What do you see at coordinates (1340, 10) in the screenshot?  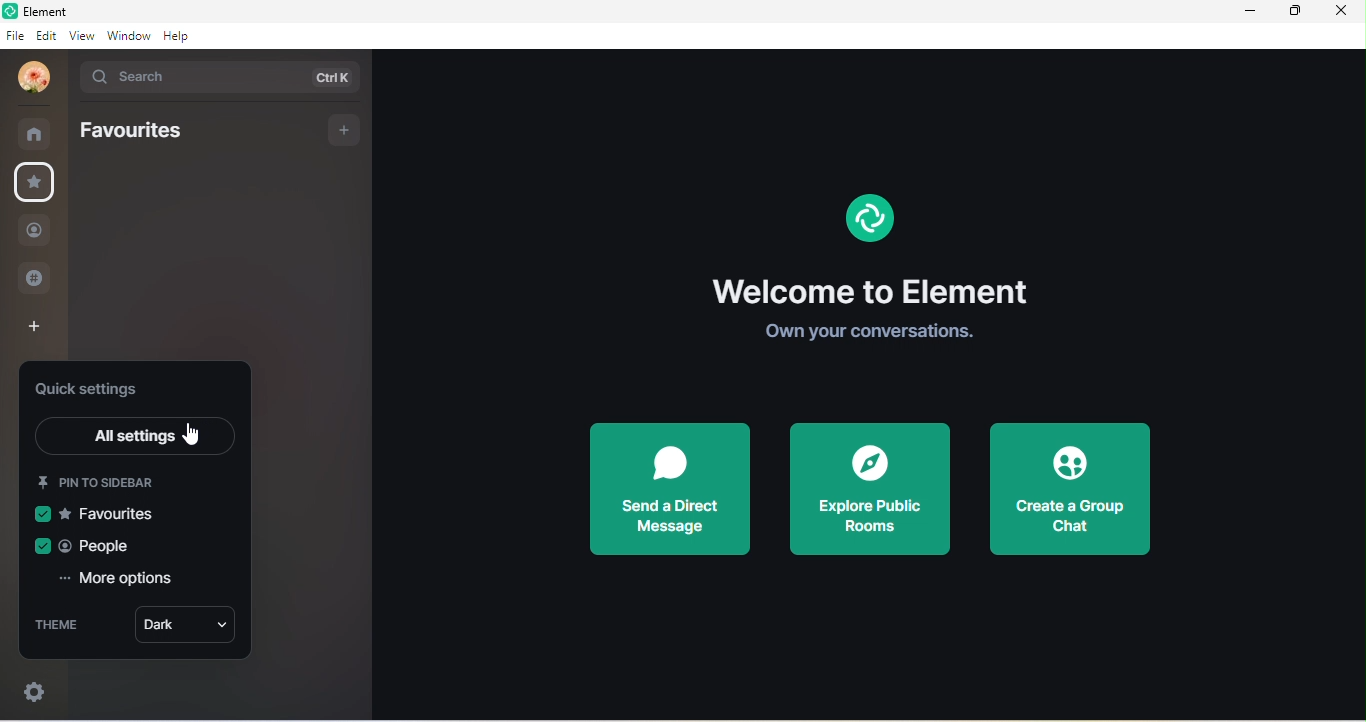 I see `close` at bounding box center [1340, 10].